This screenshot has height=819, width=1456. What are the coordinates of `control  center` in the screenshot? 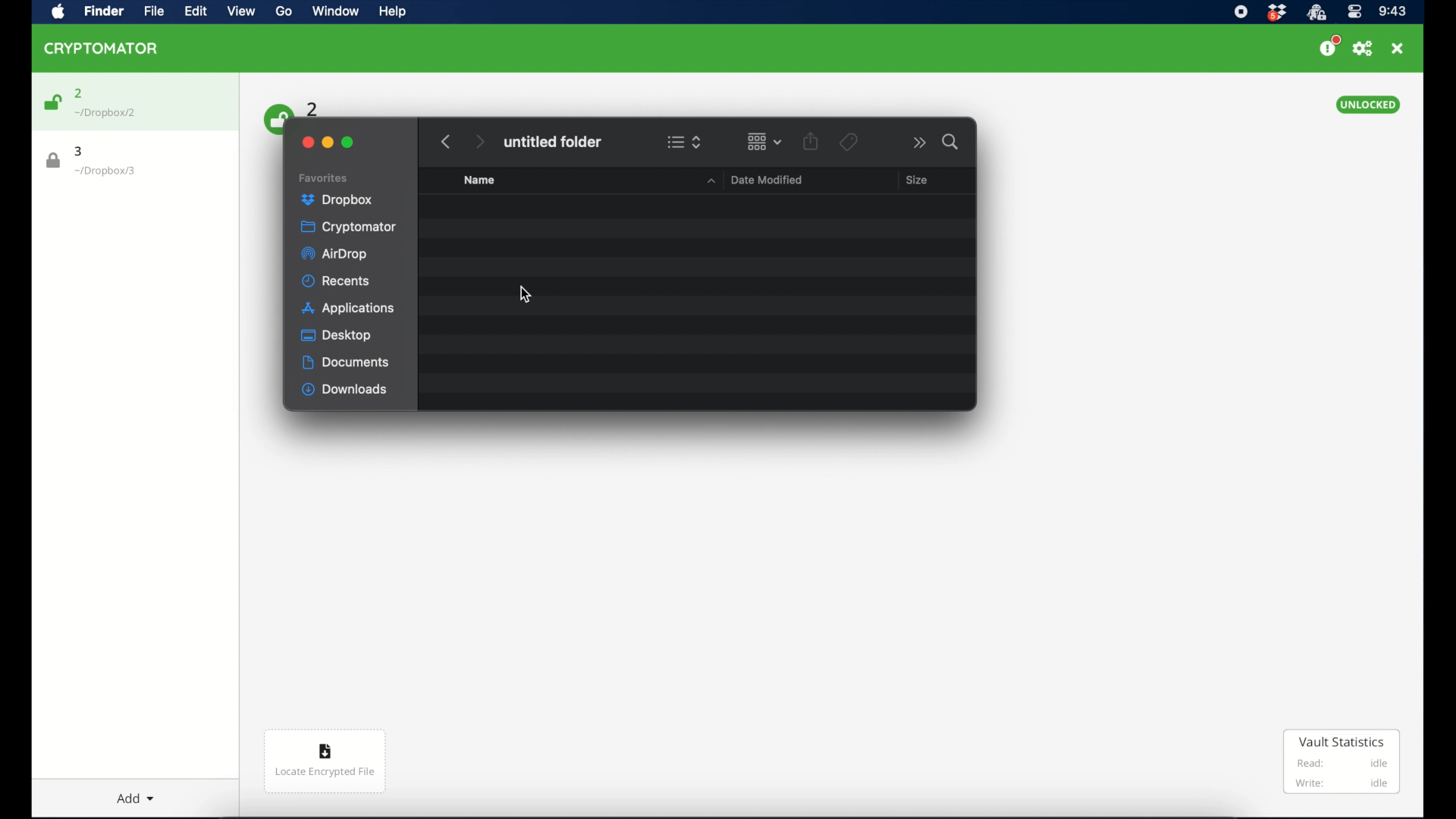 It's located at (1354, 12).